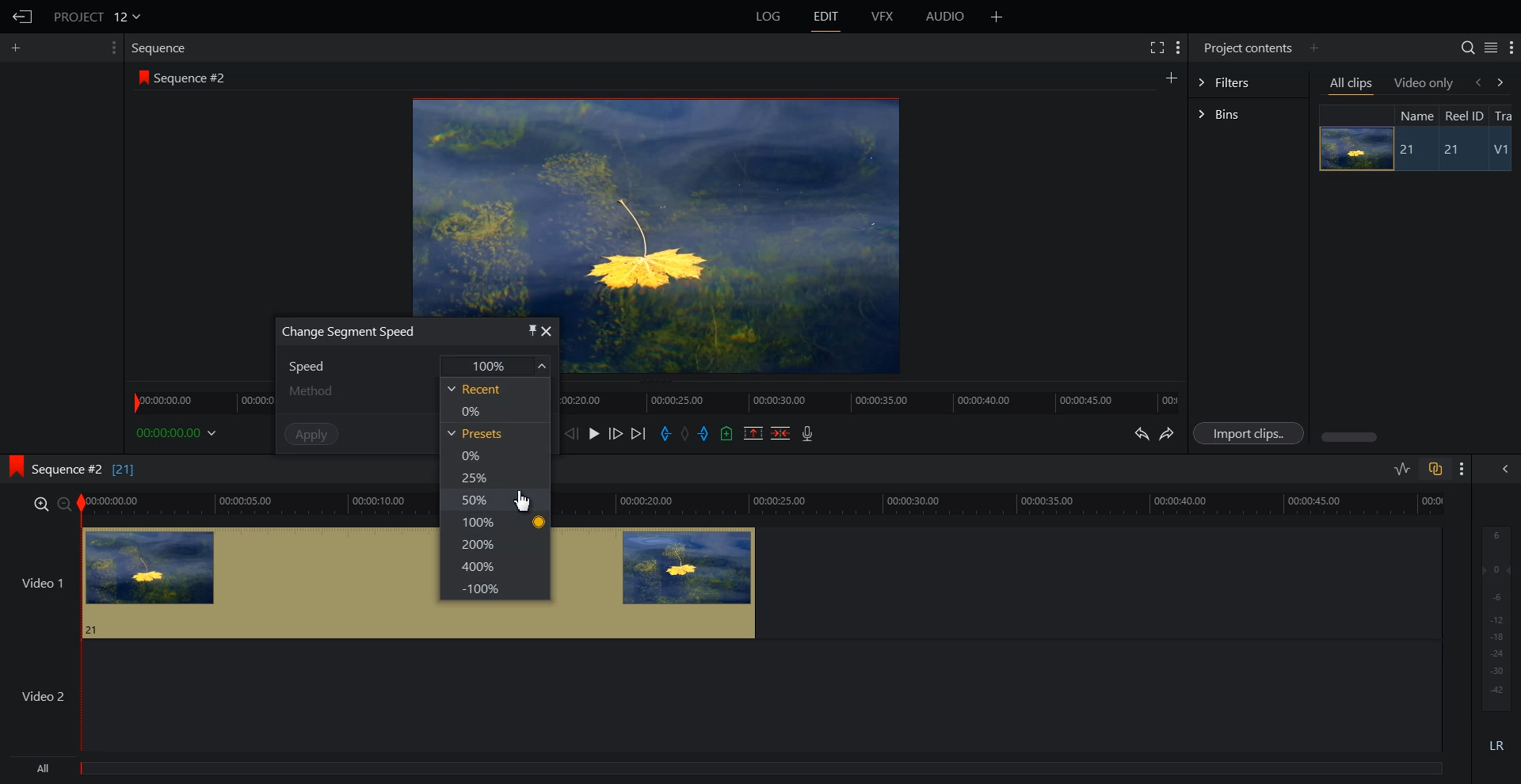 The height and width of the screenshot is (784, 1521). I want to click on Presets, so click(478, 433).